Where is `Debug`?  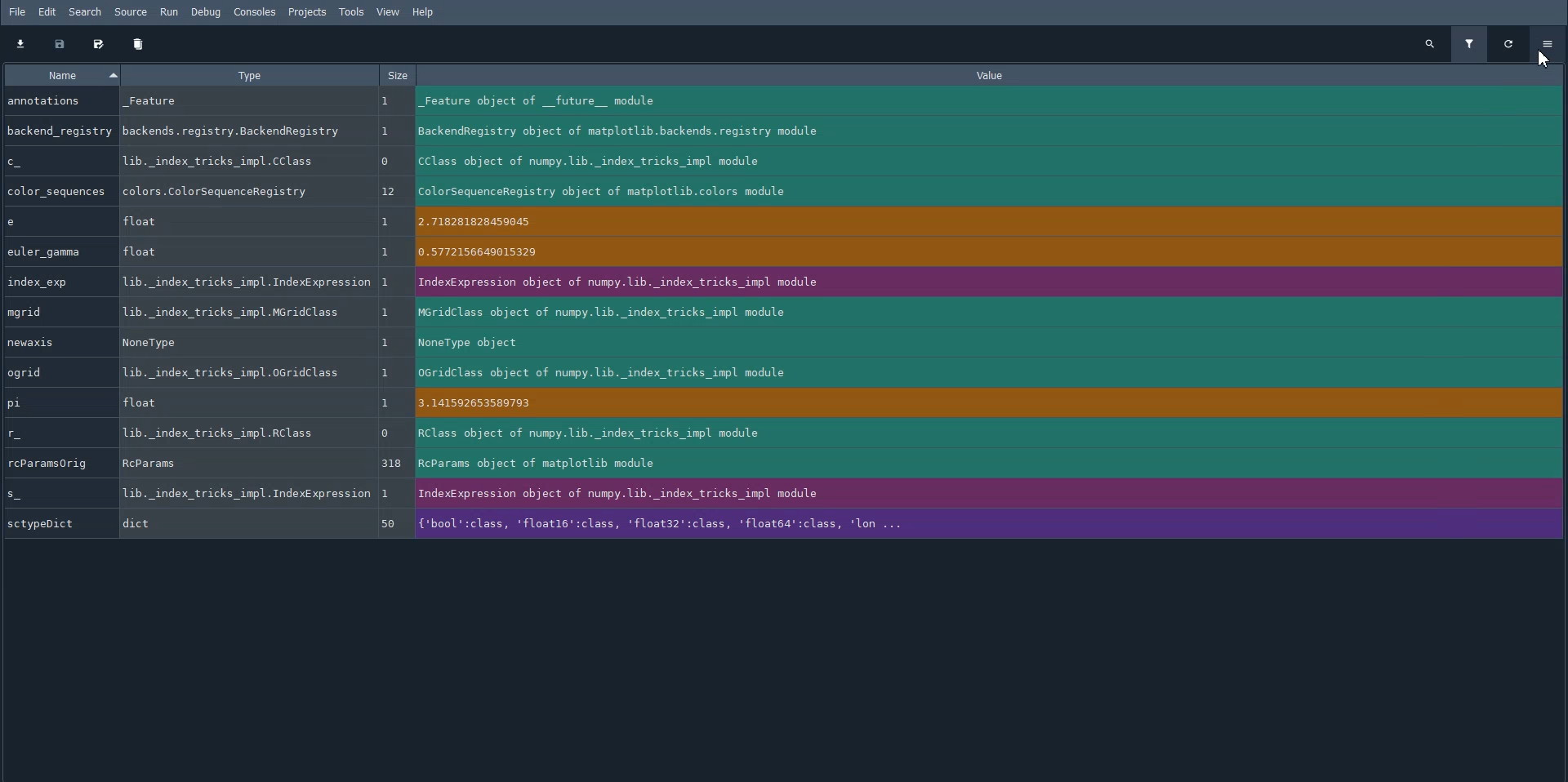 Debug is located at coordinates (207, 12).